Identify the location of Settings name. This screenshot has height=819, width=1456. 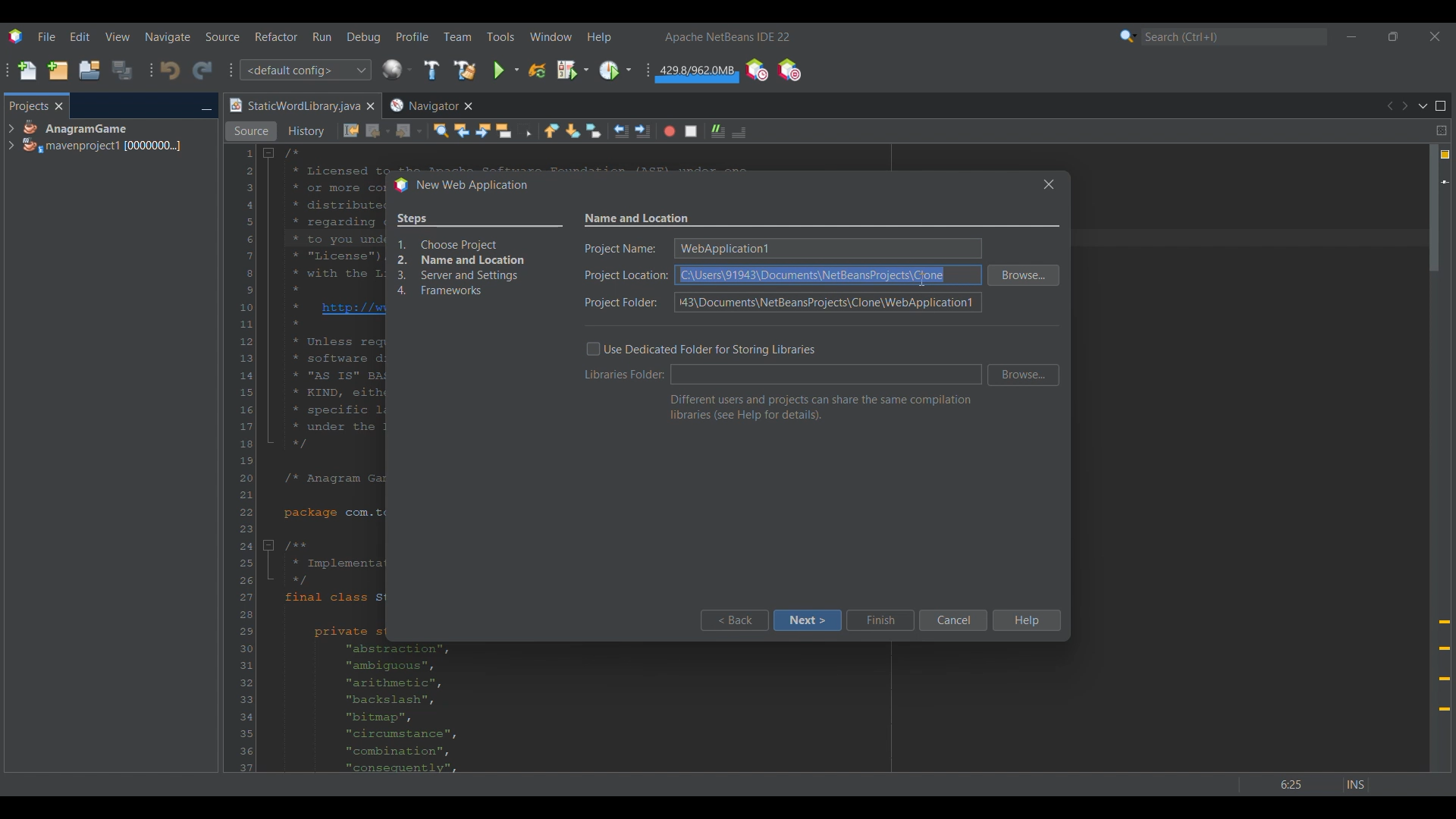
(638, 219).